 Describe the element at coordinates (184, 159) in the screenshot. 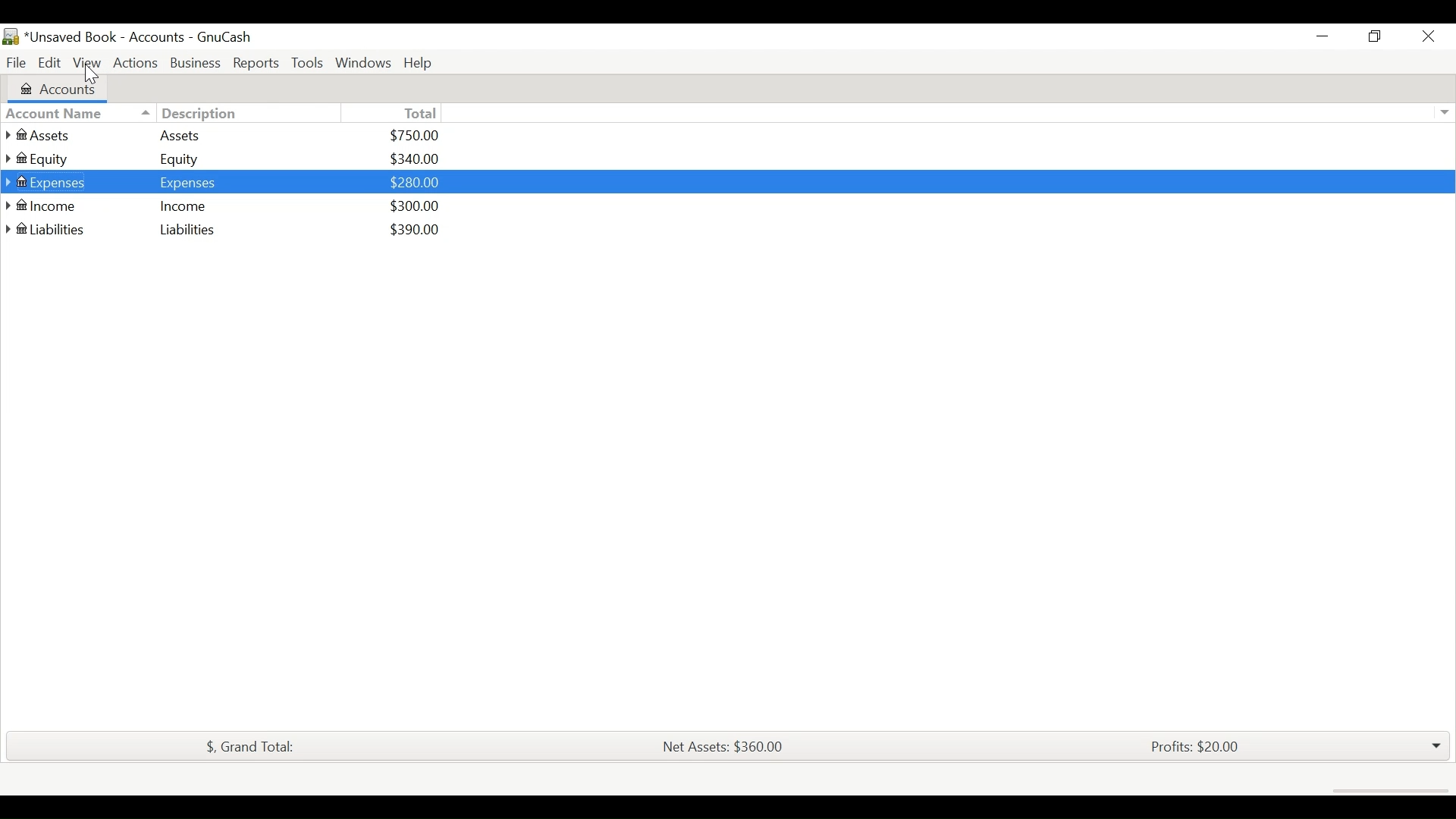

I see `Equity` at that location.